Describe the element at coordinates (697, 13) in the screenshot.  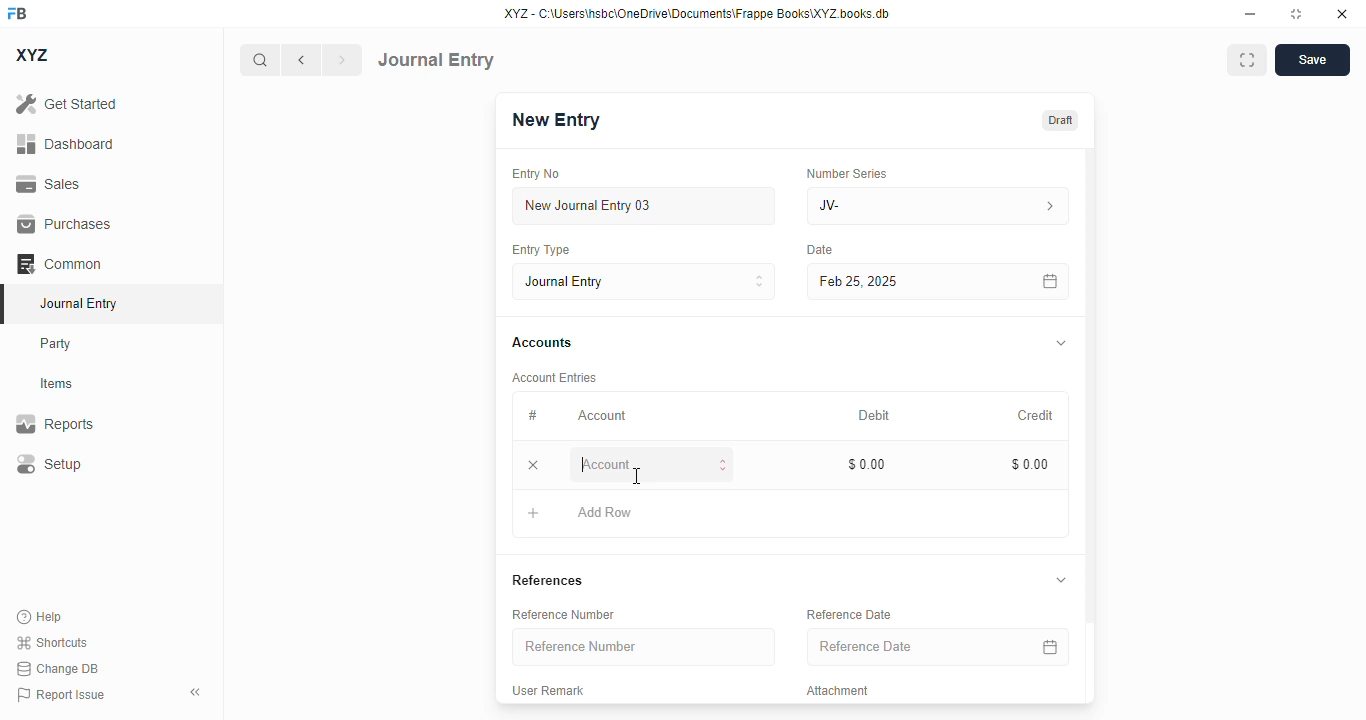
I see `XYZ - C:\Users\hsbc\OneDrive\Documents\Frappe Books\XYZ books.db` at that location.